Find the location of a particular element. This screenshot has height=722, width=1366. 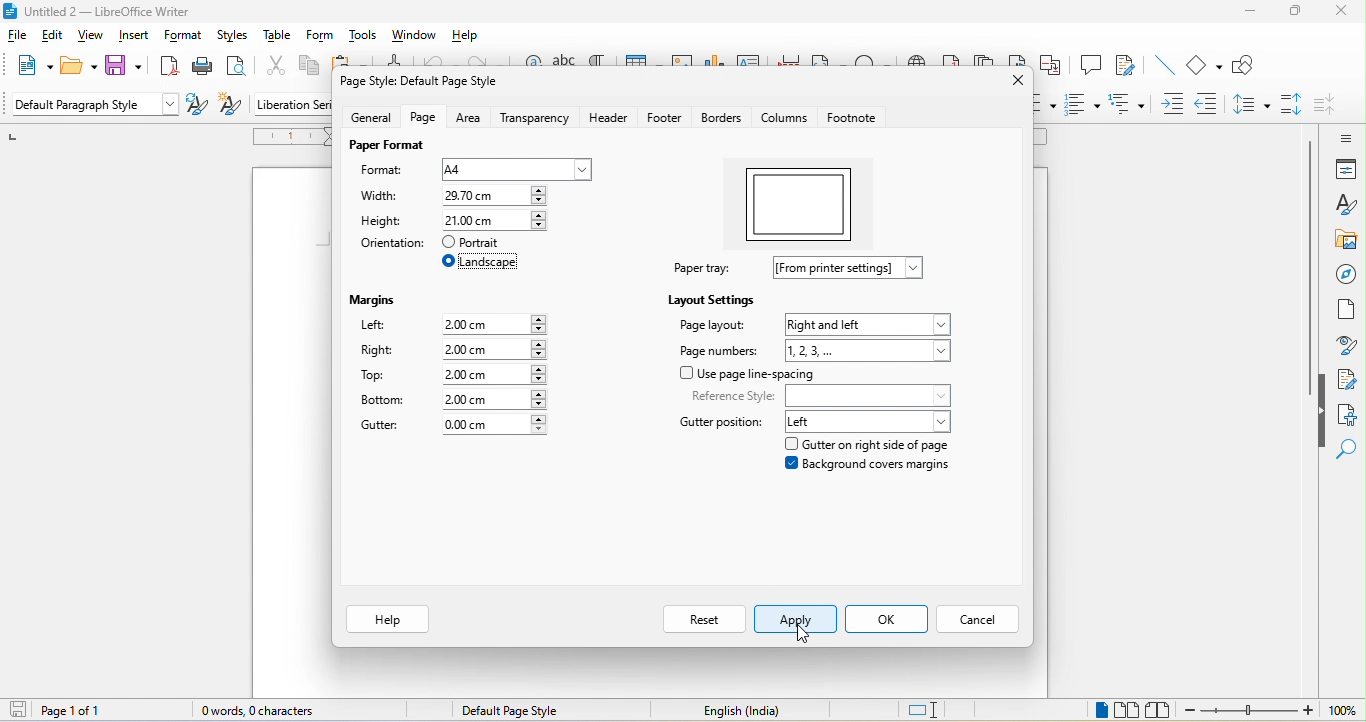

paper format is located at coordinates (387, 147).